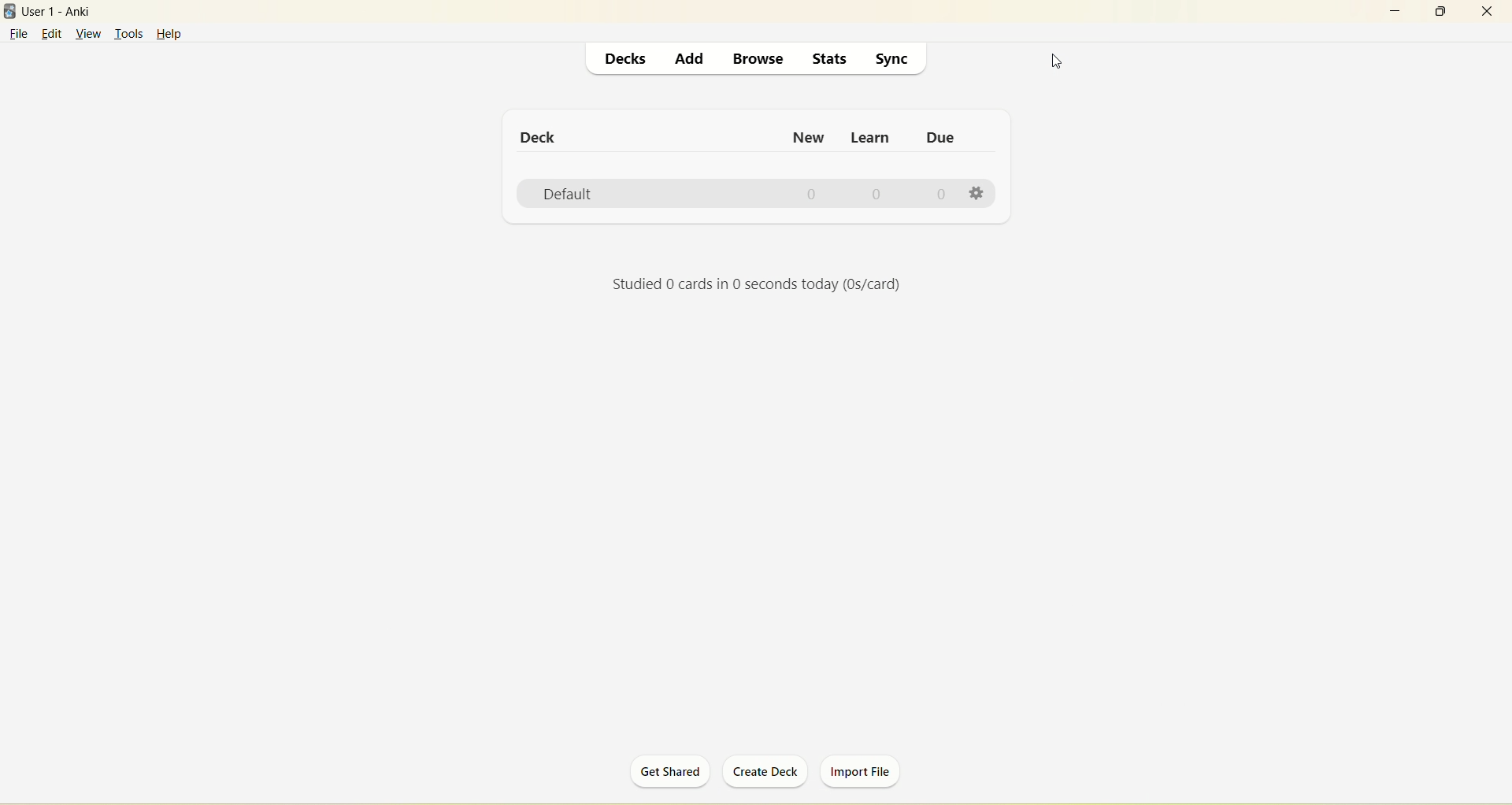  Describe the element at coordinates (897, 61) in the screenshot. I see `sync` at that location.